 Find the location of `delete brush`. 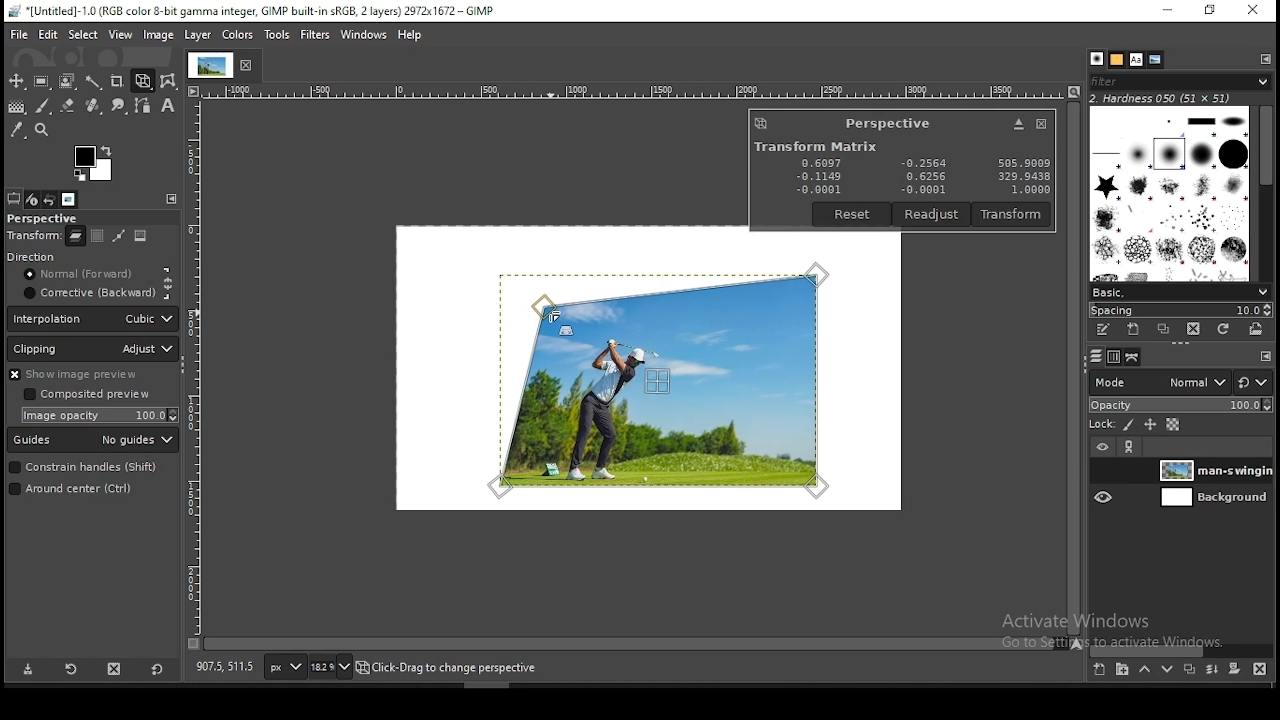

delete brush is located at coordinates (1196, 330).